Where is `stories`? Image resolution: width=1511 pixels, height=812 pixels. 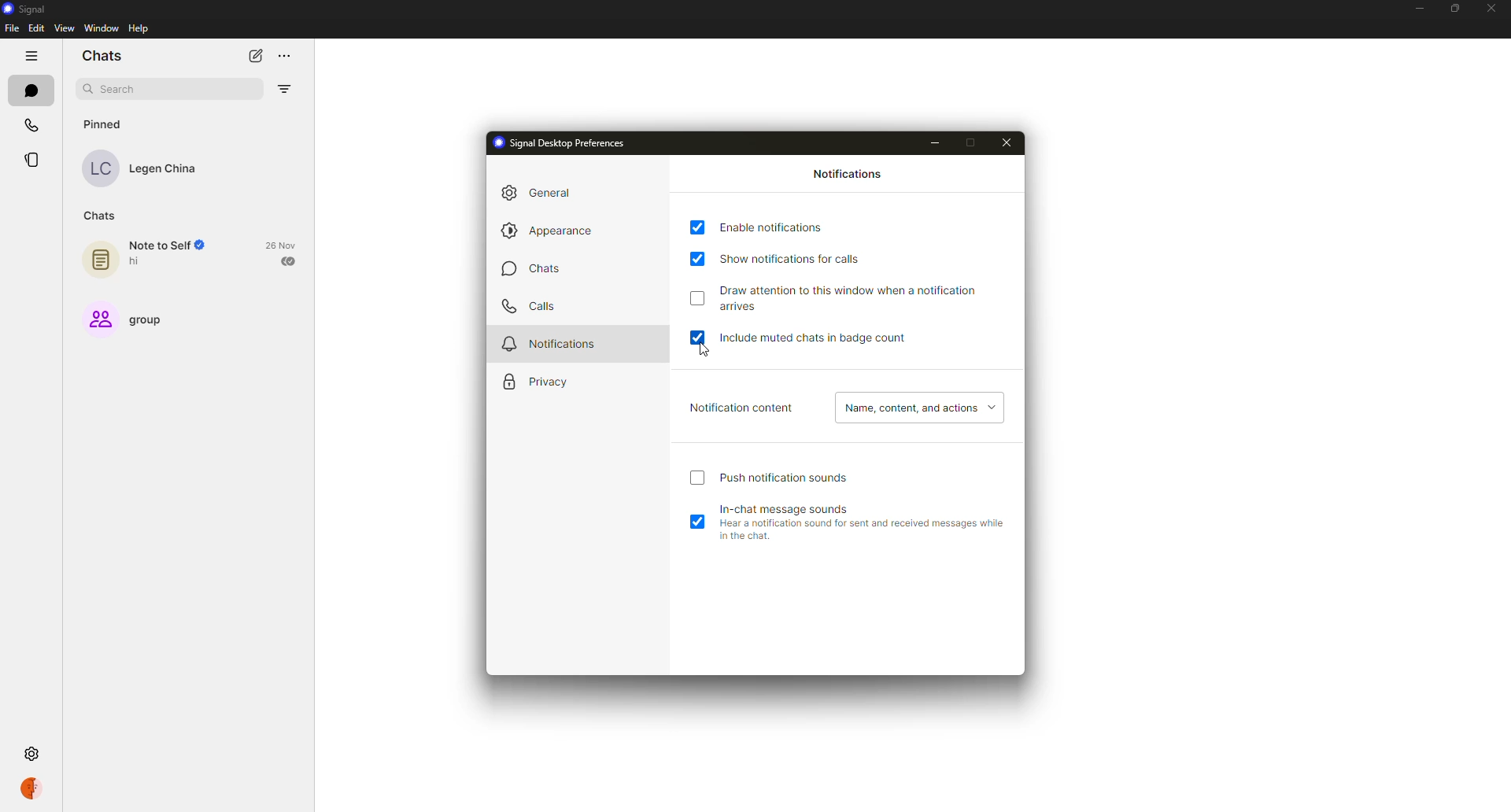
stories is located at coordinates (34, 161).